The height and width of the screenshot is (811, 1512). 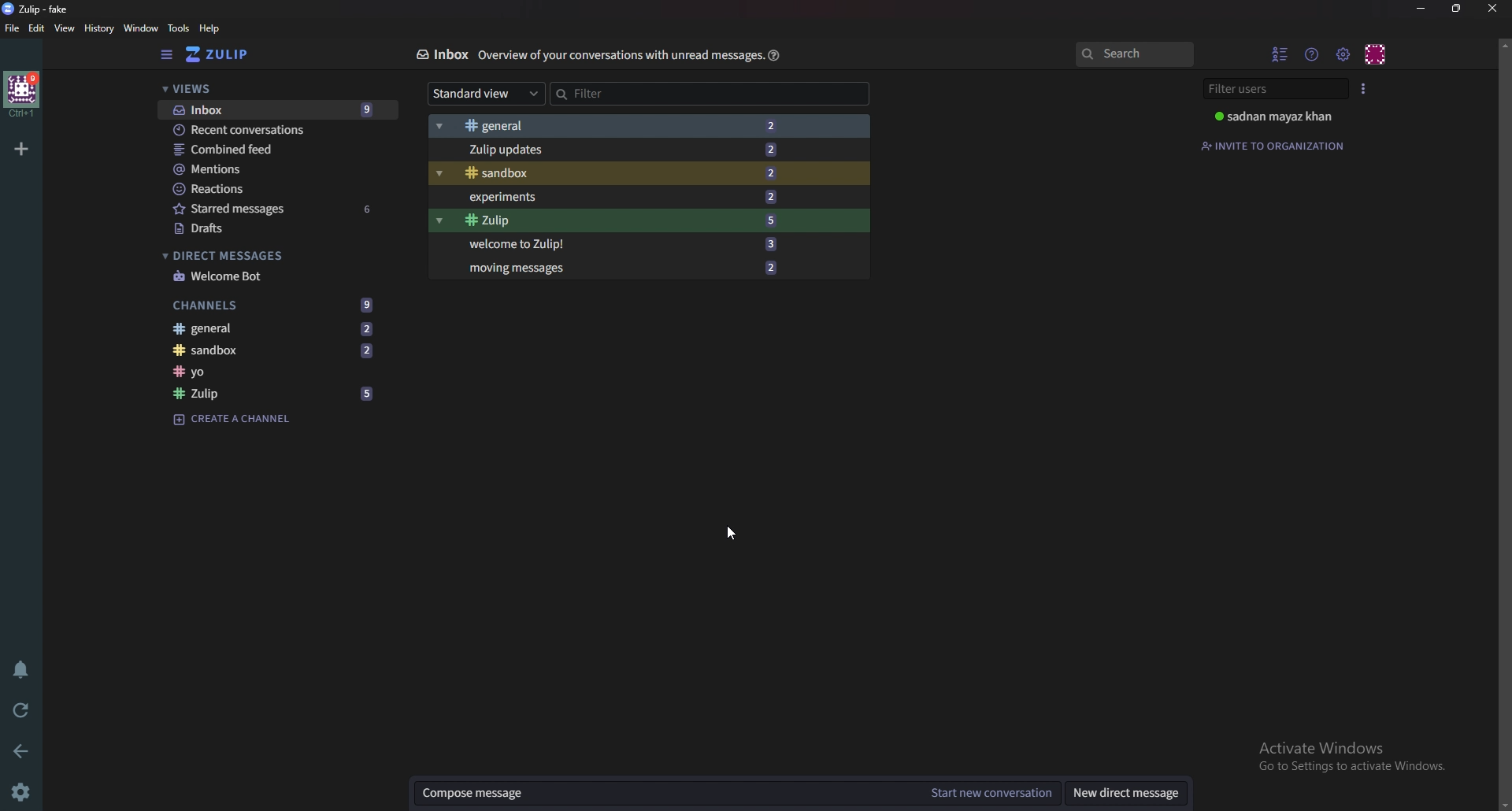 What do you see at coordinates (1378, 54) in the screenshot?
I see `Personal menu` at bounding box center [1378, 54].